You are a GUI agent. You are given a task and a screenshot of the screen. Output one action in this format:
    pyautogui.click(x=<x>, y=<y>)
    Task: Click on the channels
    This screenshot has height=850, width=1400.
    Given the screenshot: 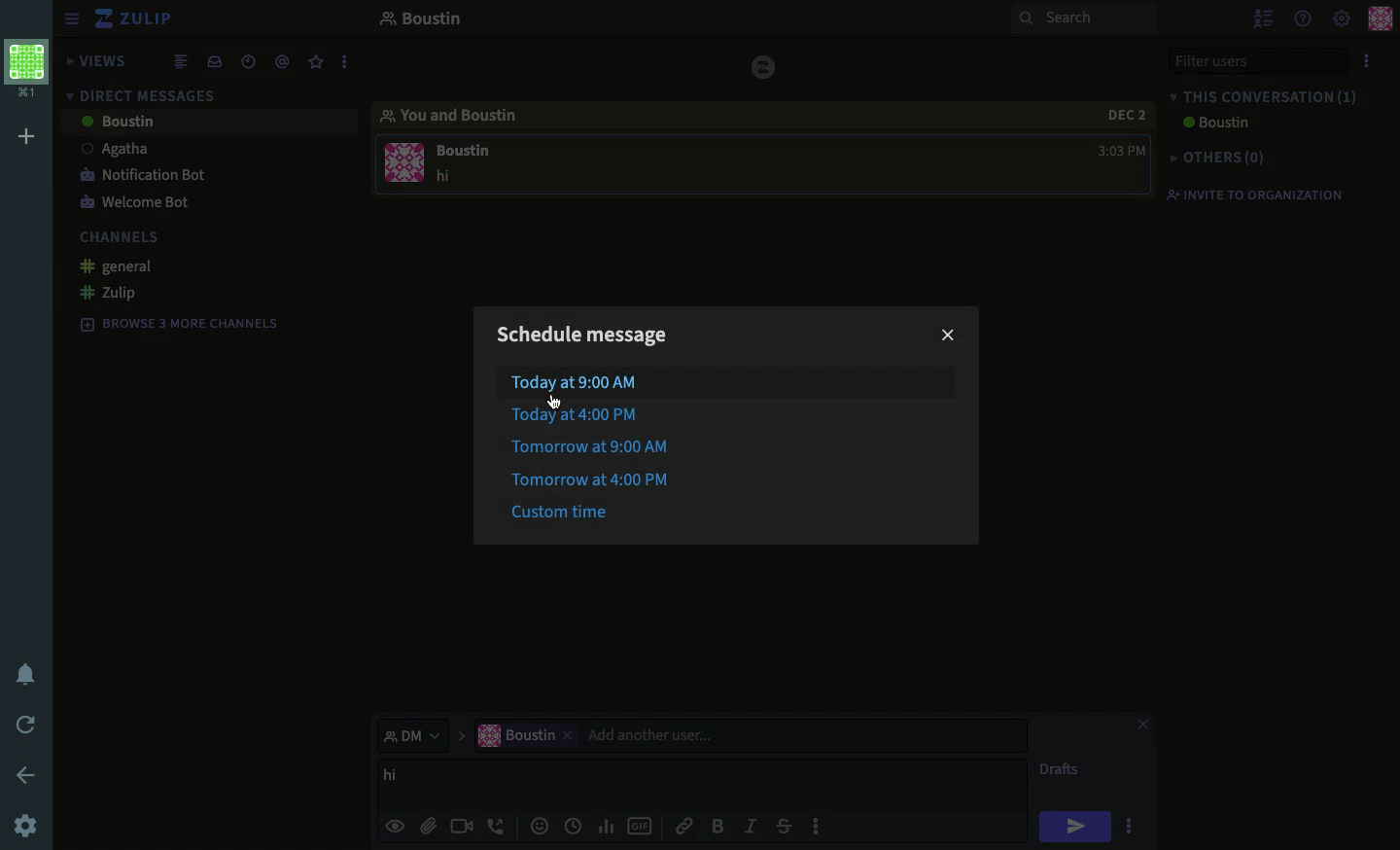 What is the action you would take?
    pyautogui.click(x=120, y=240)
    